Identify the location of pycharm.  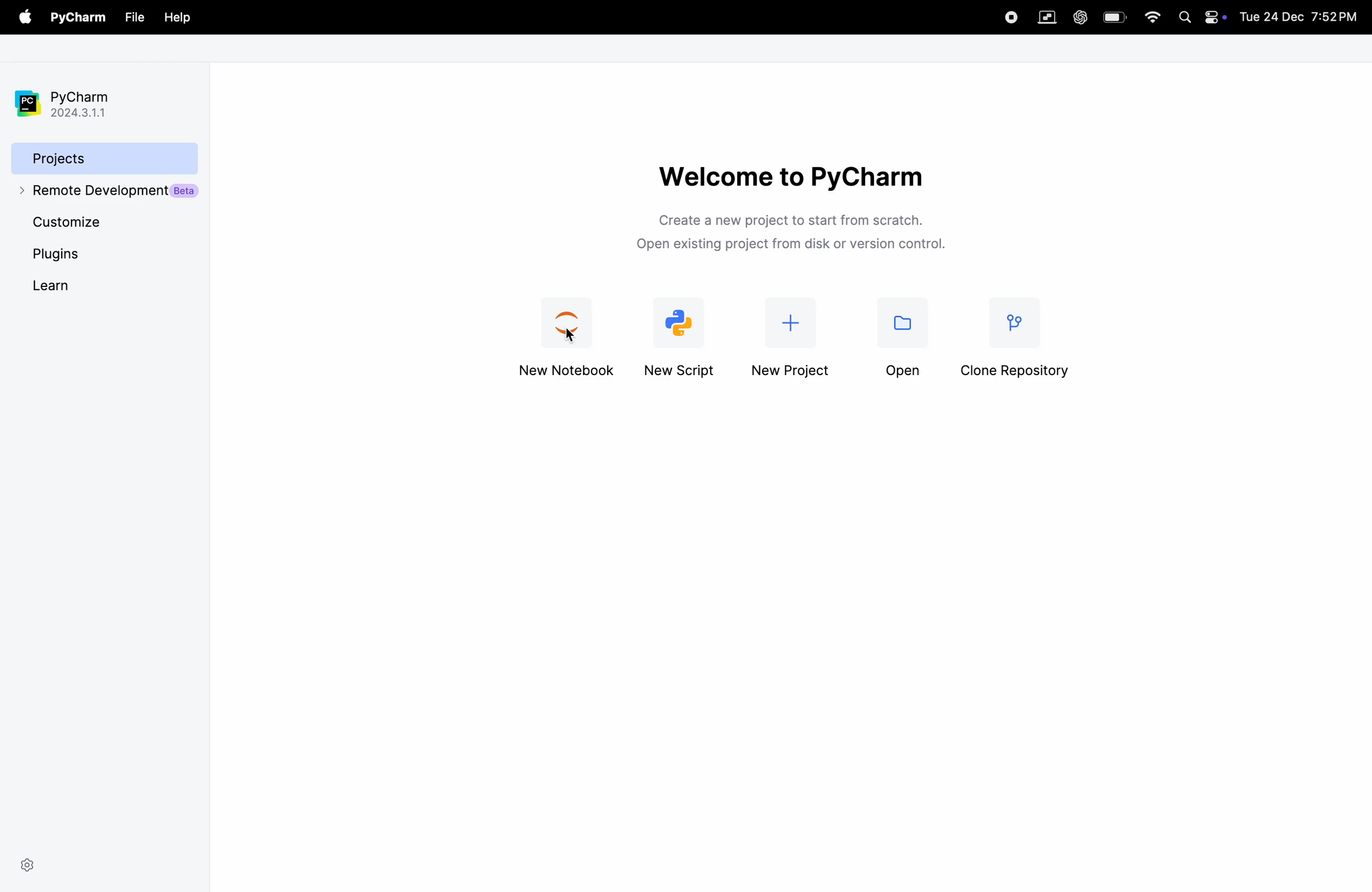
(67, 103).